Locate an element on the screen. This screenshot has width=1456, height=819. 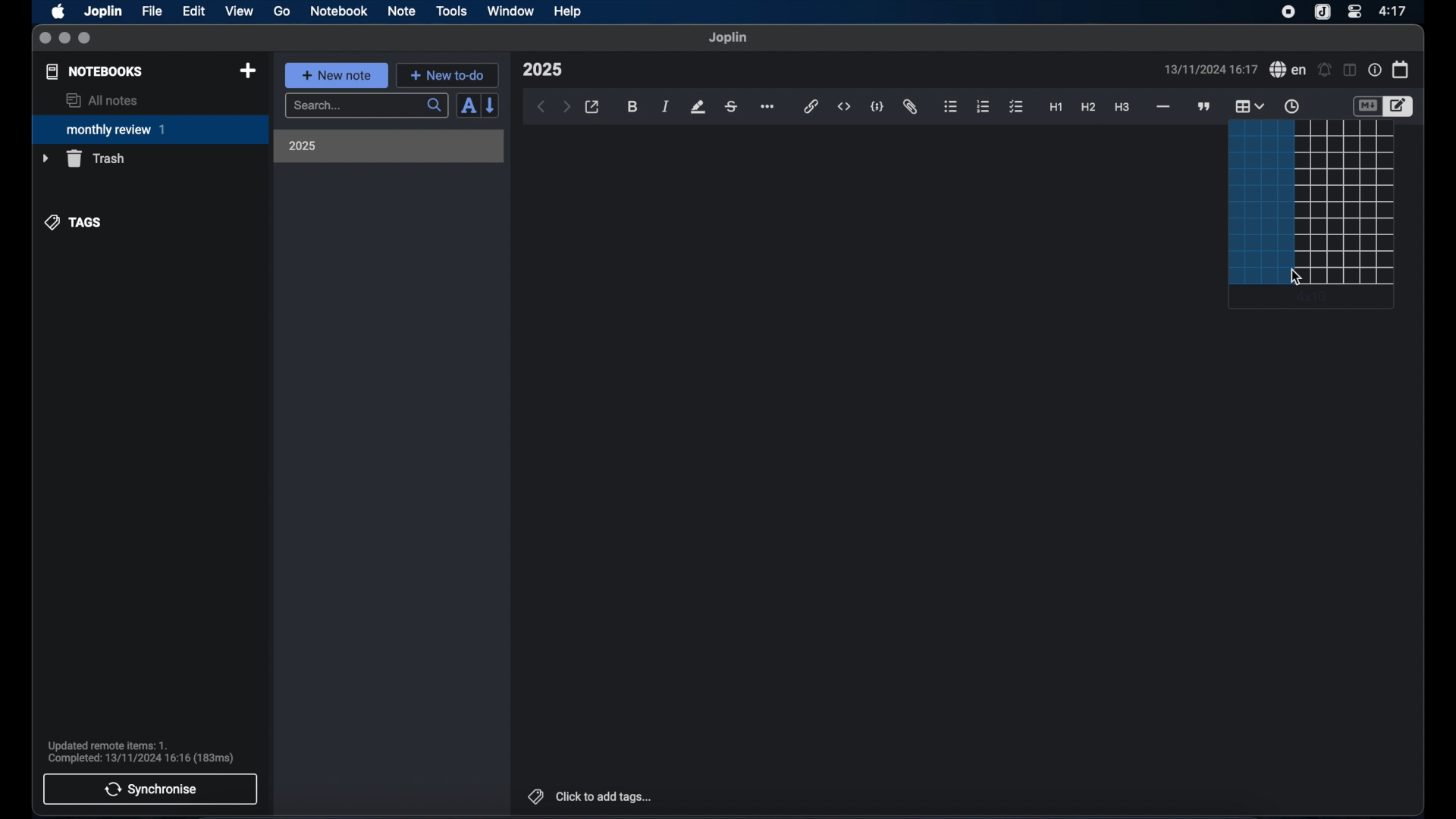
reverse sort order is located at coordinates (491, 105).